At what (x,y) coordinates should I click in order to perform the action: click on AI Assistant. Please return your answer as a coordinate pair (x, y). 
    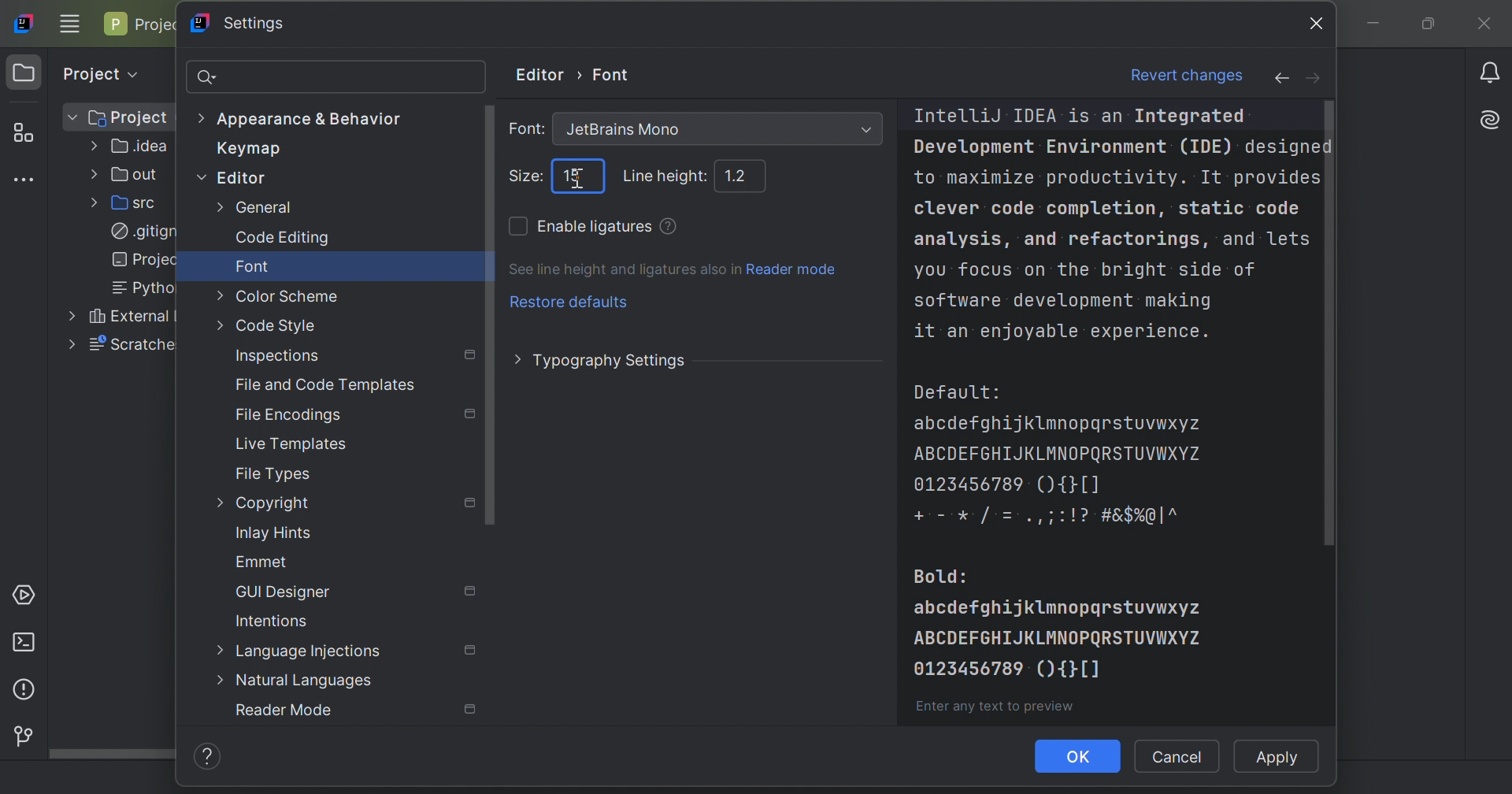
    Looking at the image, I should click on (1493, 117).